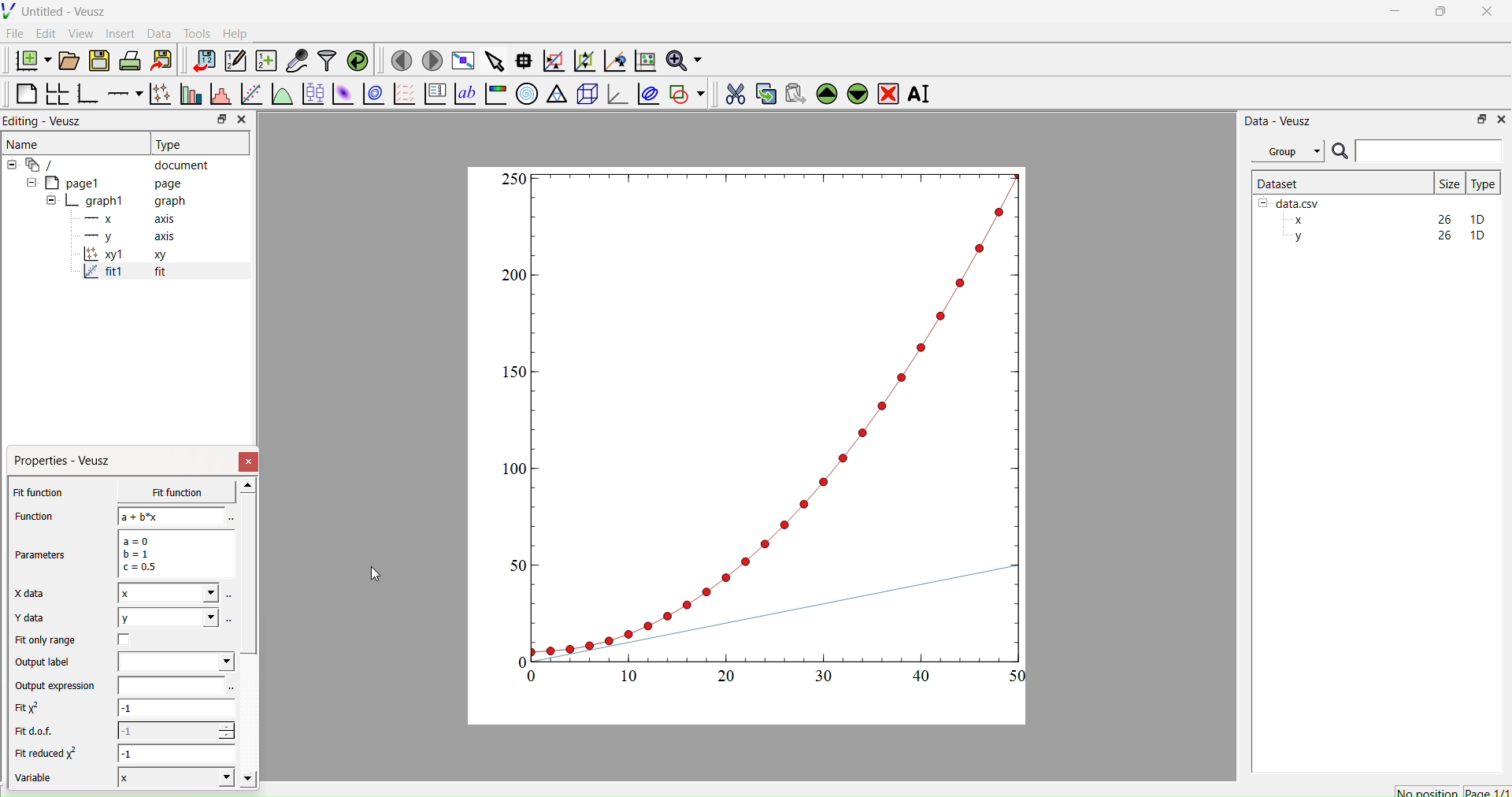 Image resolution: width=1512 pixels, height=797 pixels. What do you see at coordinates (114, 164) in the screenshot?
I see `document` at bounding box center [114, 164].